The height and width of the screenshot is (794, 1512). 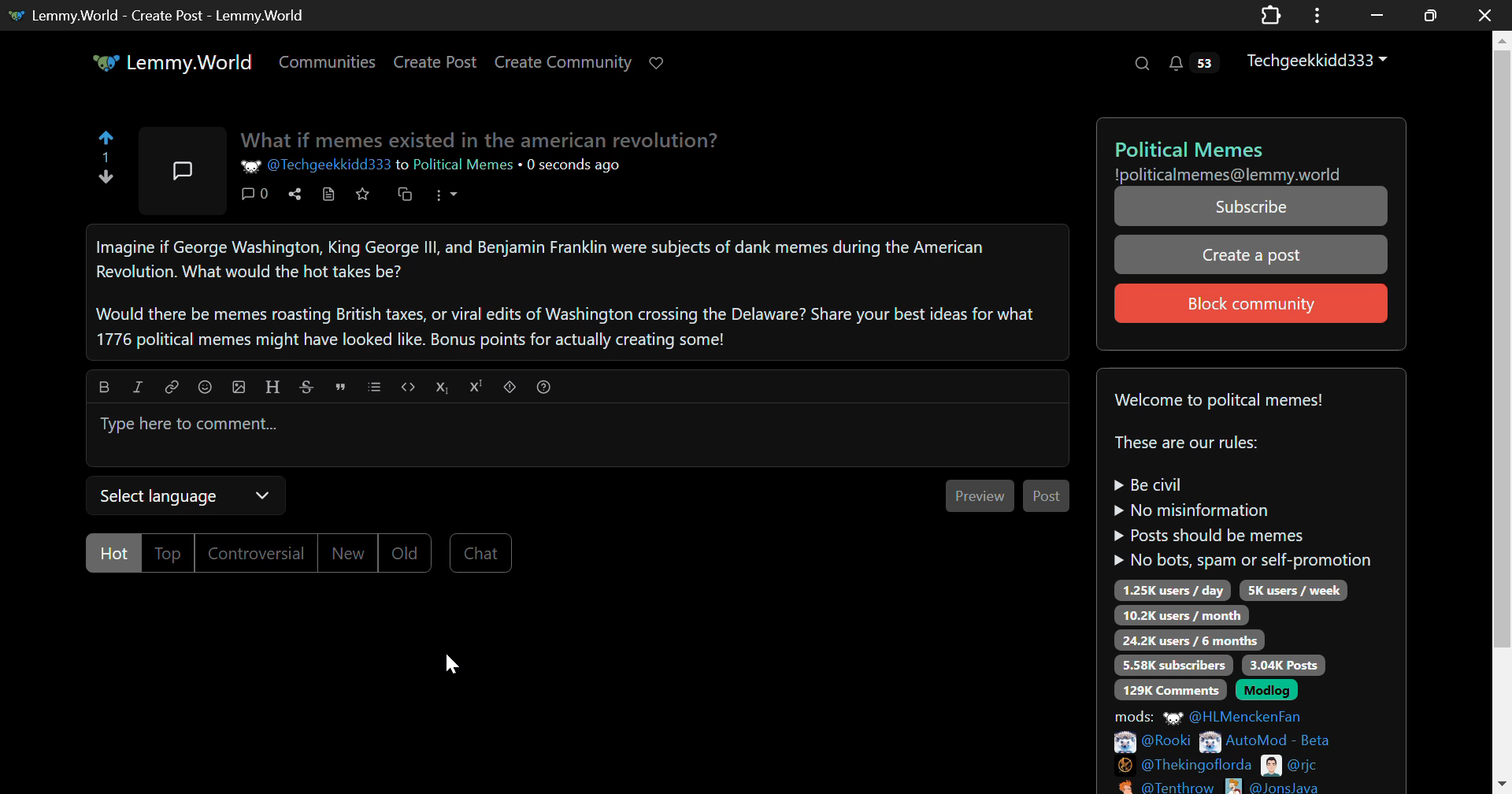 I want to click on Italic, so click(x=138, y=386).